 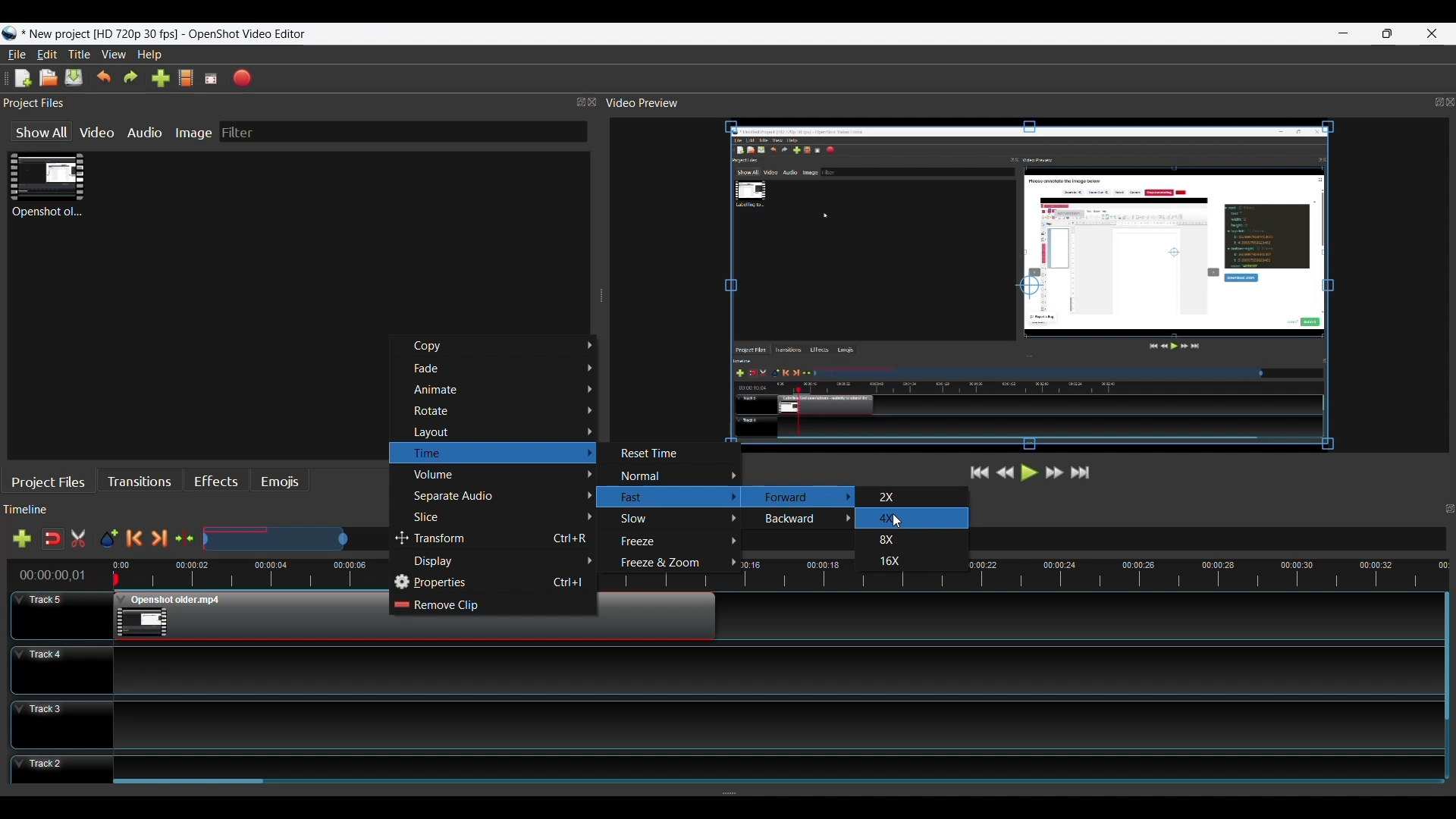 What do you see at coordinates (503, 561) in the screenshot?
I see `Display` at bounding box center [503, 561].